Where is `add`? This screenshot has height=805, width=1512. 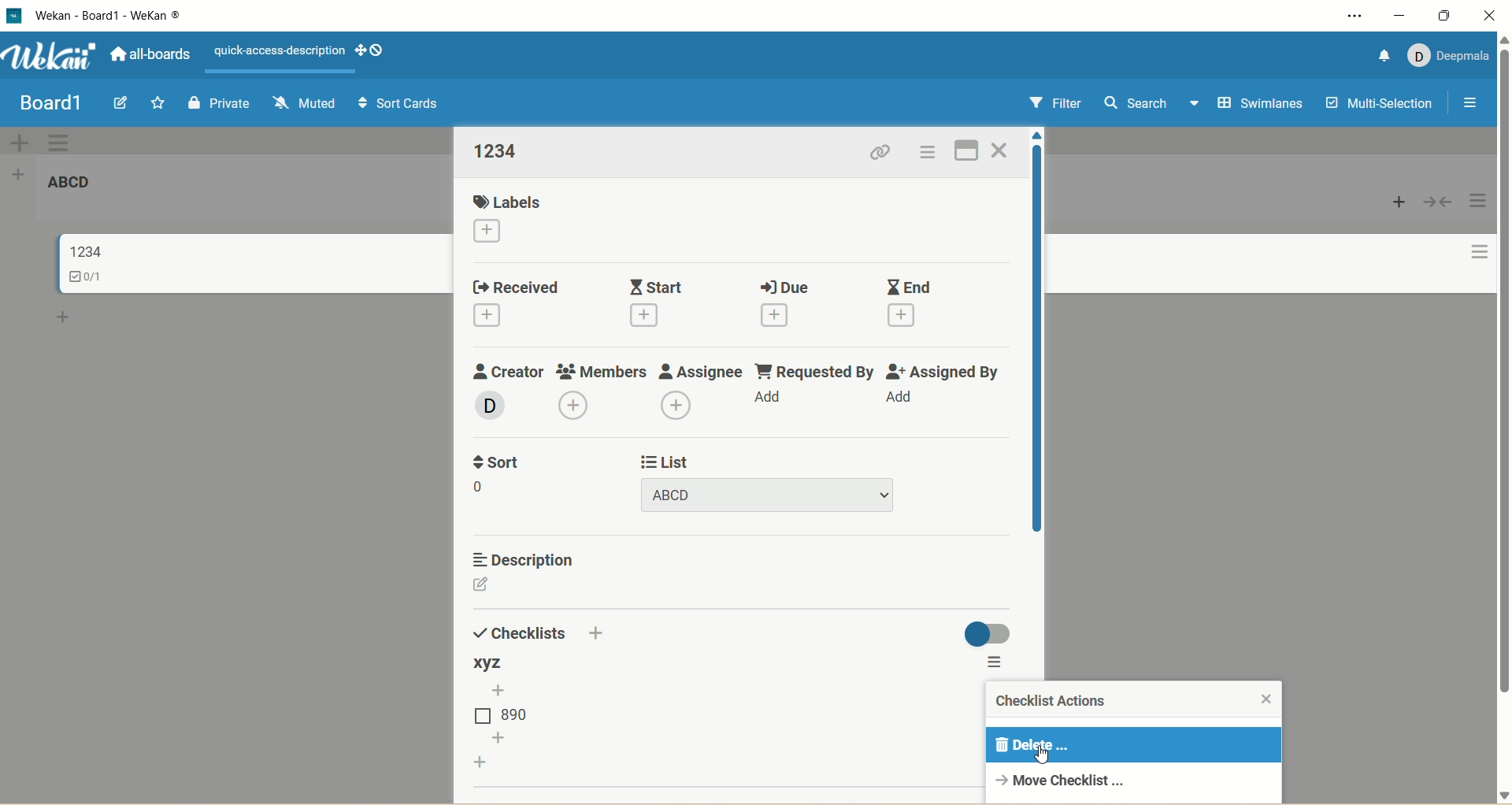 add is located at coordinates (609, 633).